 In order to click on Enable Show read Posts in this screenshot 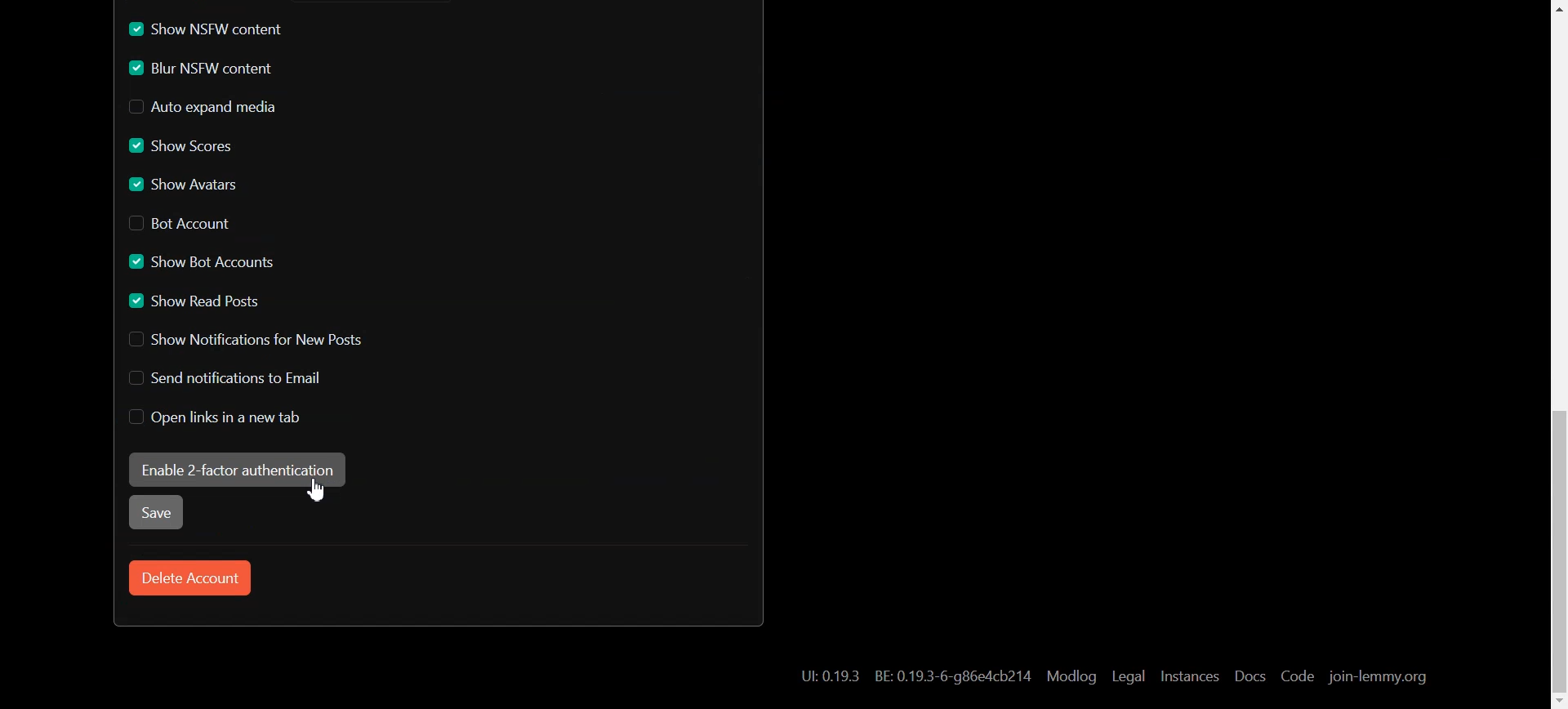, I will do `click(203, 300)`.